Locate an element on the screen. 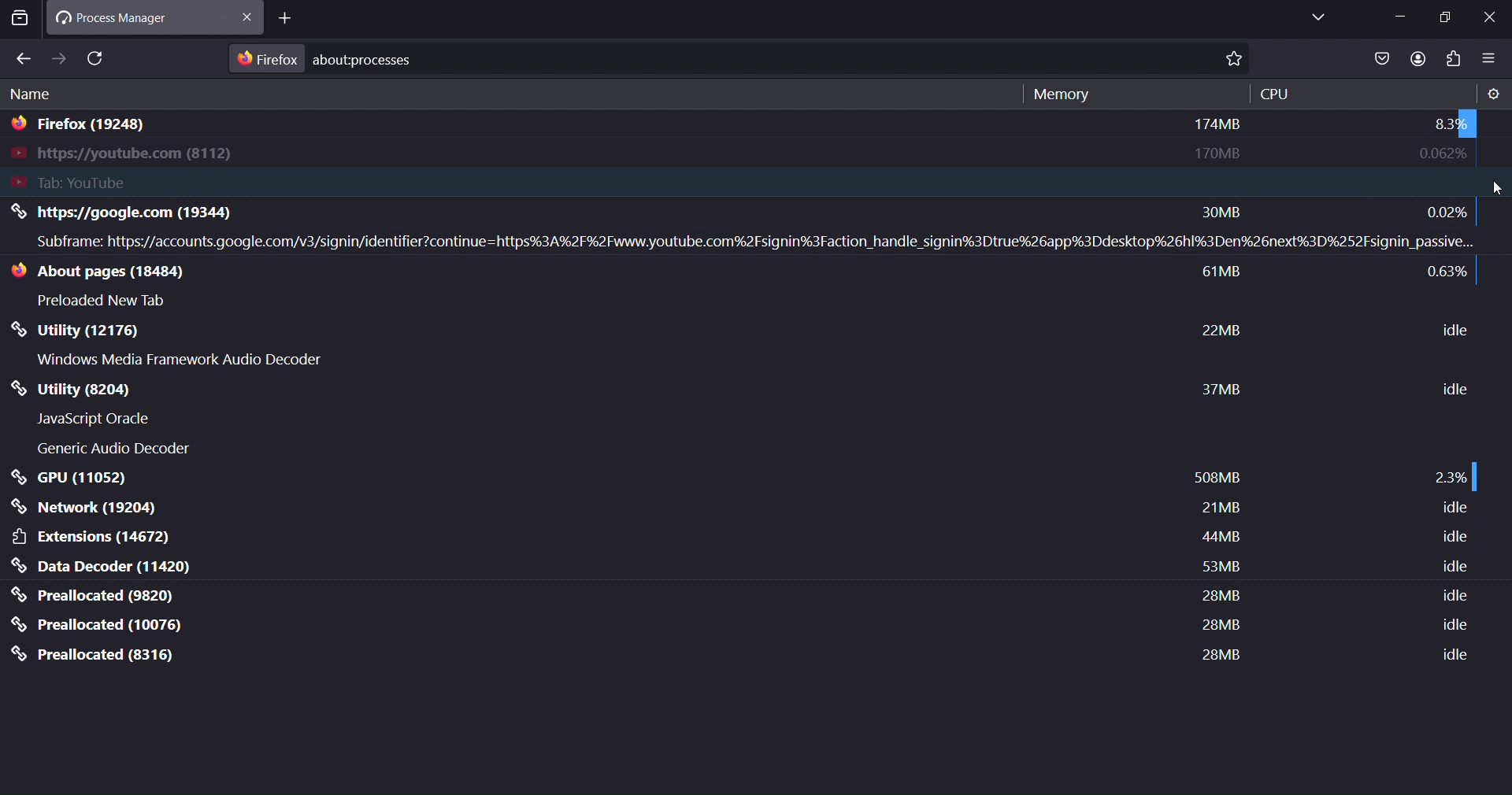  idle is located at coordinates (1458, 389).